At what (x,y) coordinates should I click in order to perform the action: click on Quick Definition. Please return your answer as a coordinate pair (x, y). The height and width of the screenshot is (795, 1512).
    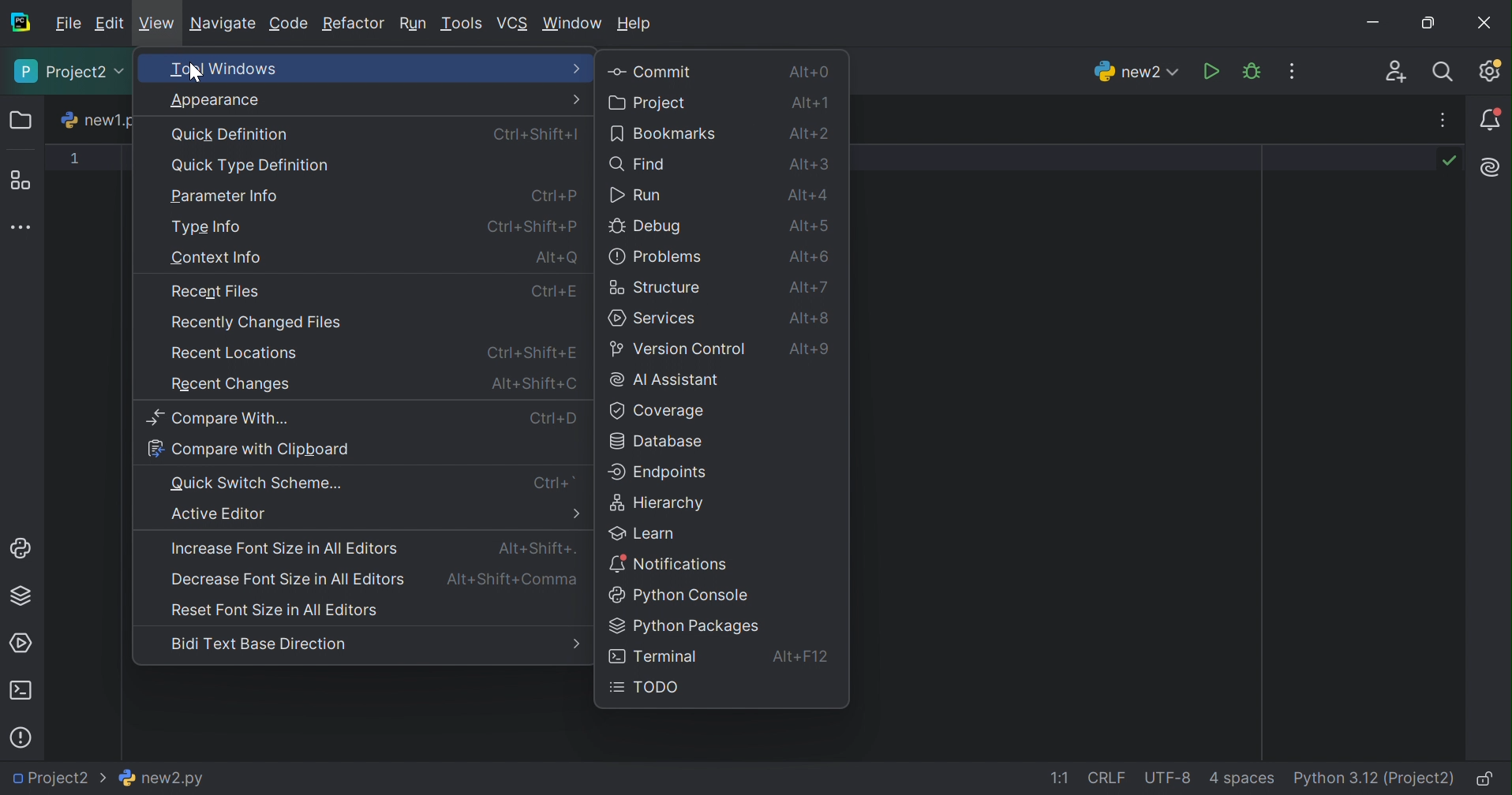
    Looking at the image, I should click on (230, 133).